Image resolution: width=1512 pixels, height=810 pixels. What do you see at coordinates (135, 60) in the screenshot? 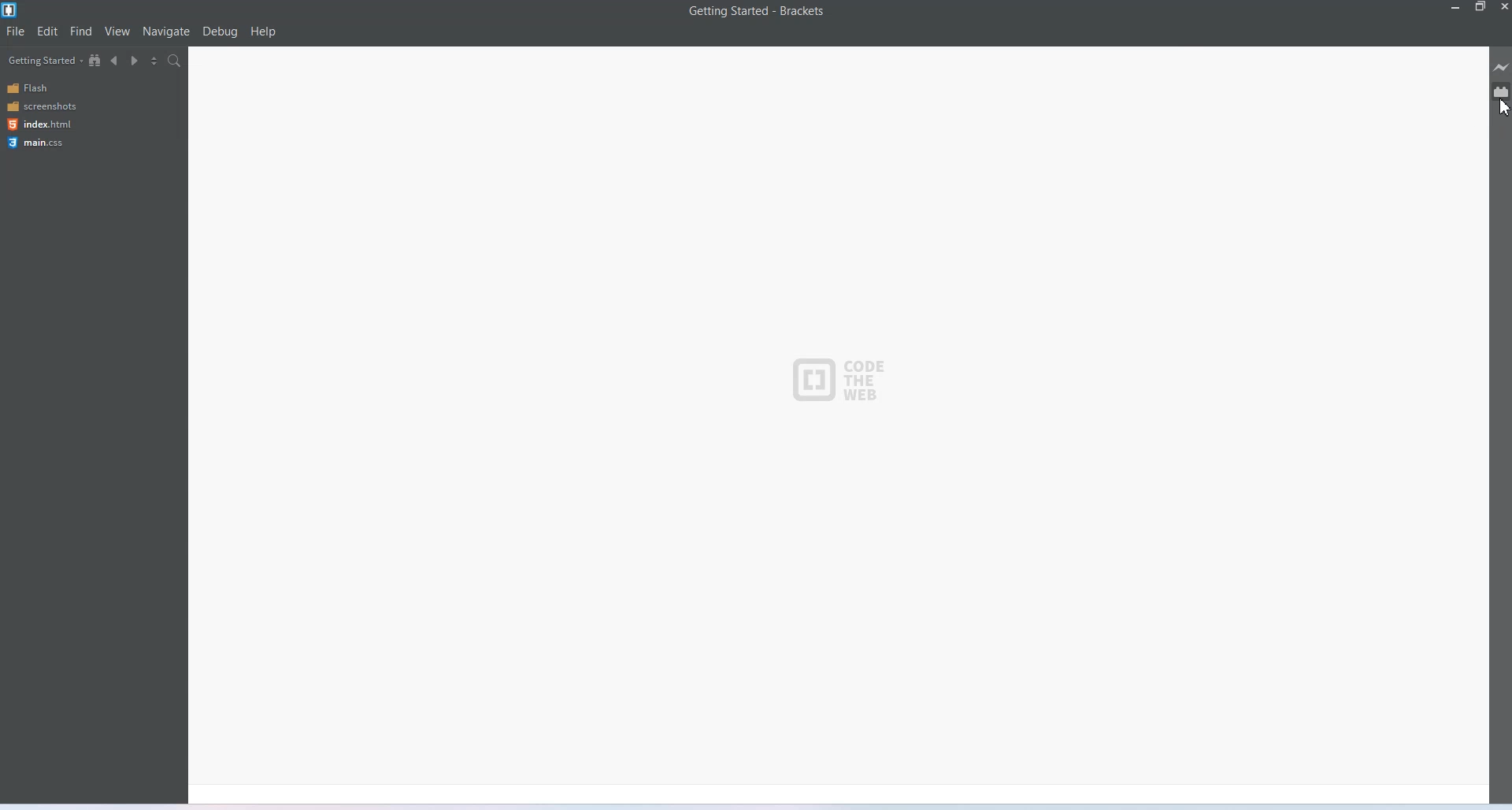
I see `Navigate forward` at bounding box center [135, 60].